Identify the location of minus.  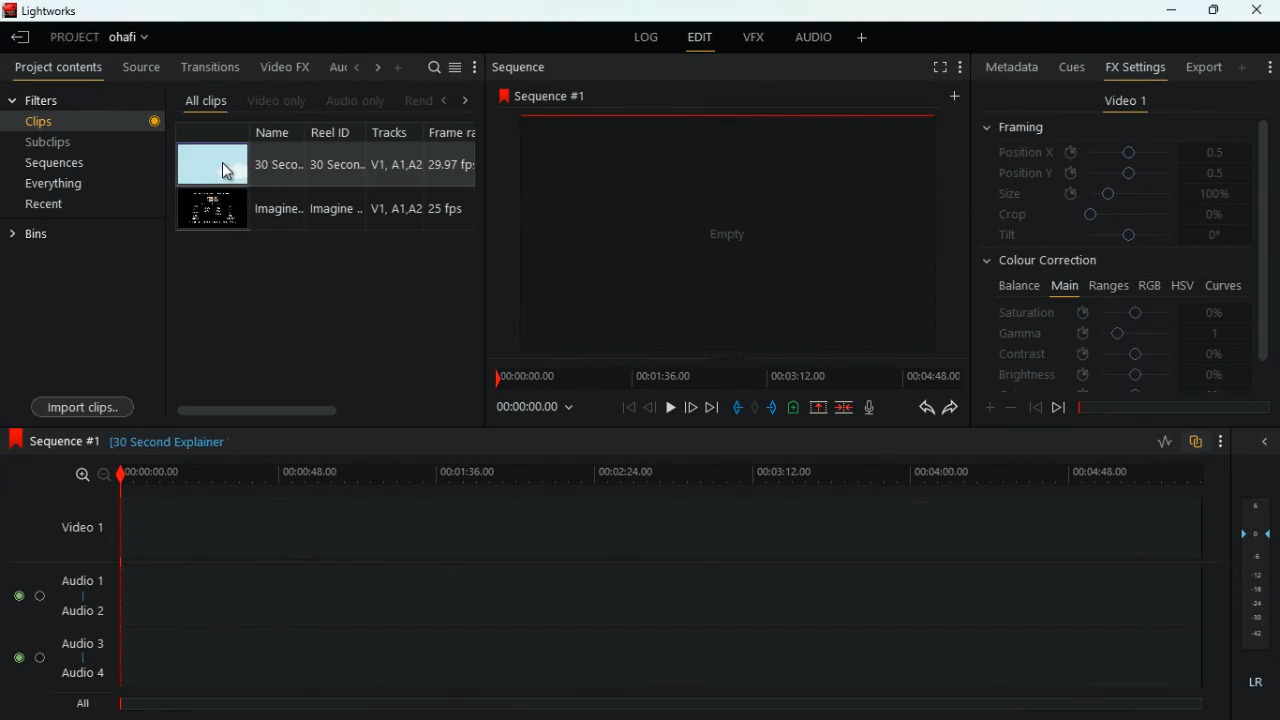
(1011, 407).